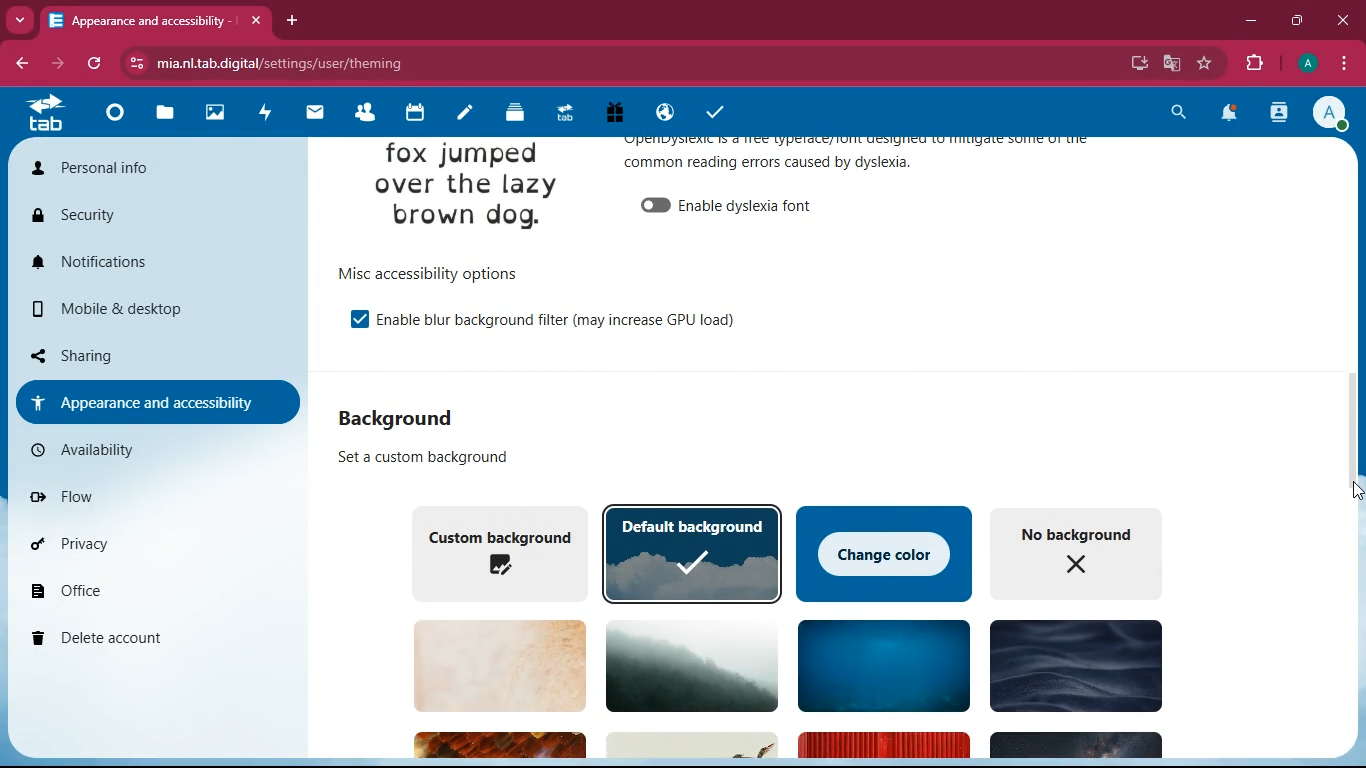 Image resolution: width=1366 pixels, height=768 pixels. I want to click on tasks, so click(713, 116).